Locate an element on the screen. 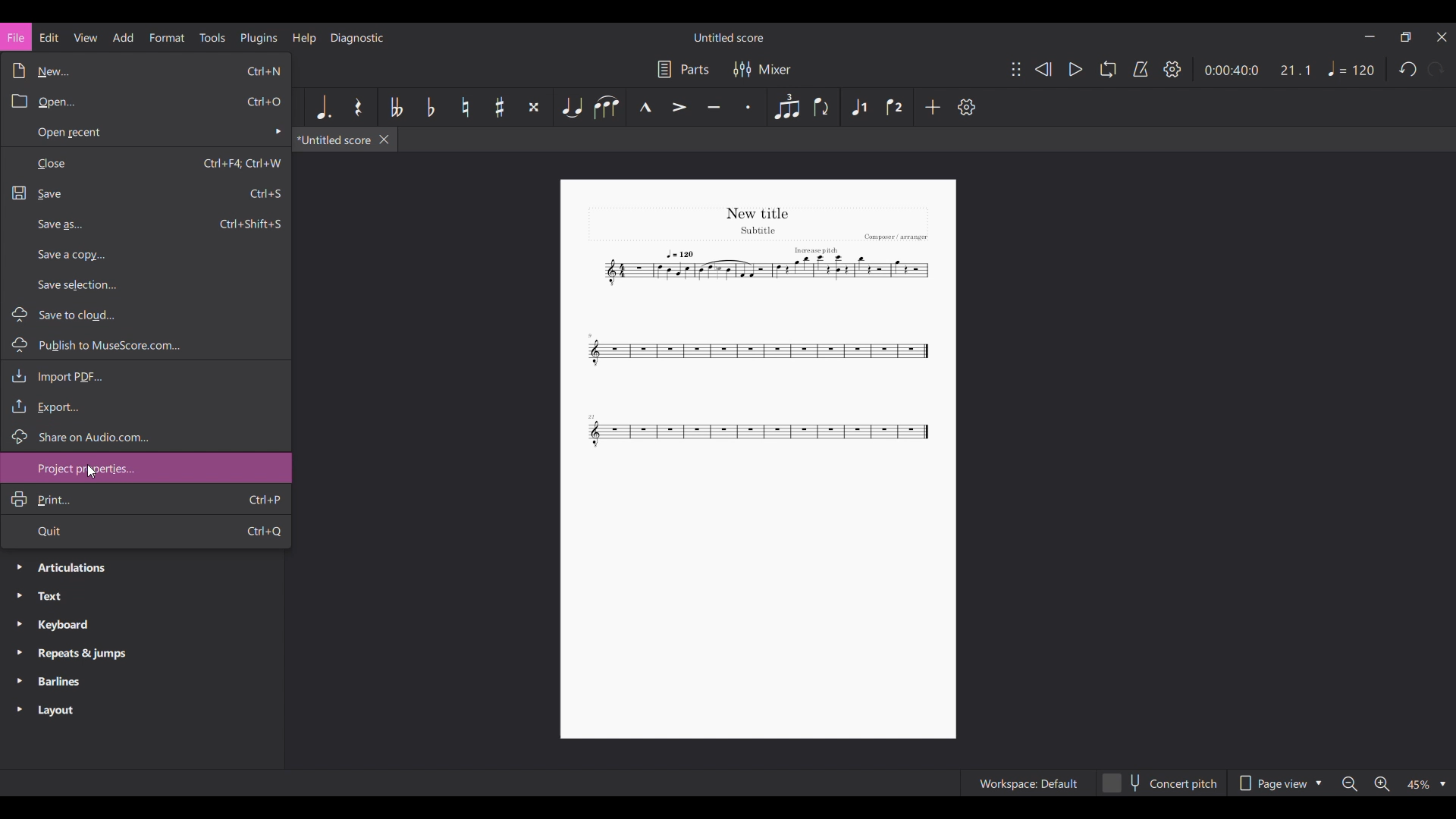 The width and height of the screenshot is (1456, 819). Tools menu is located at coordinates (212, 37).